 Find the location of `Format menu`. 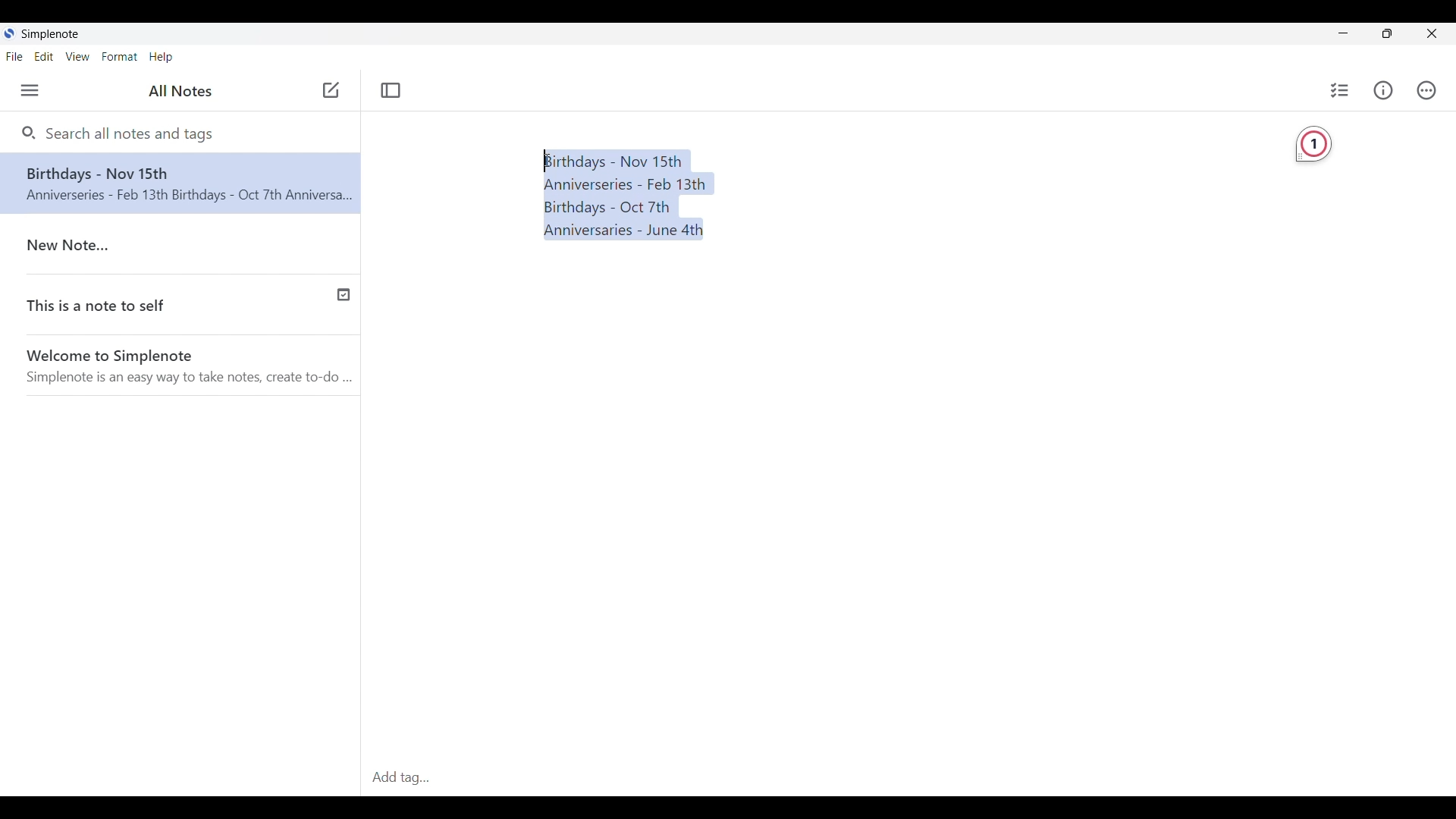

Format menu is located at coordinates (119, 56).